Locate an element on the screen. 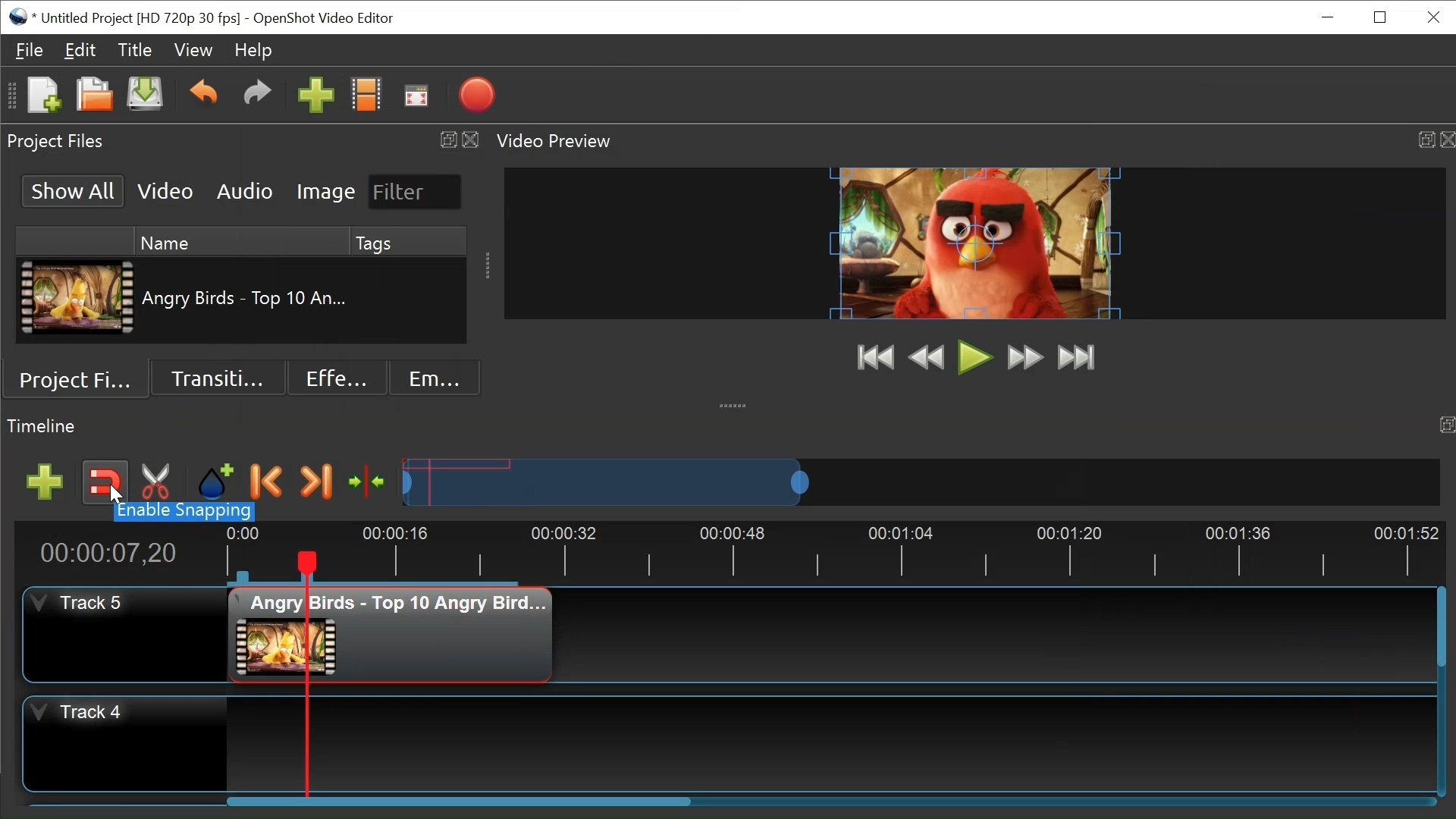 This screenshot has width=1456, height=819. Choose Profile is located at coordinates (366, 94).